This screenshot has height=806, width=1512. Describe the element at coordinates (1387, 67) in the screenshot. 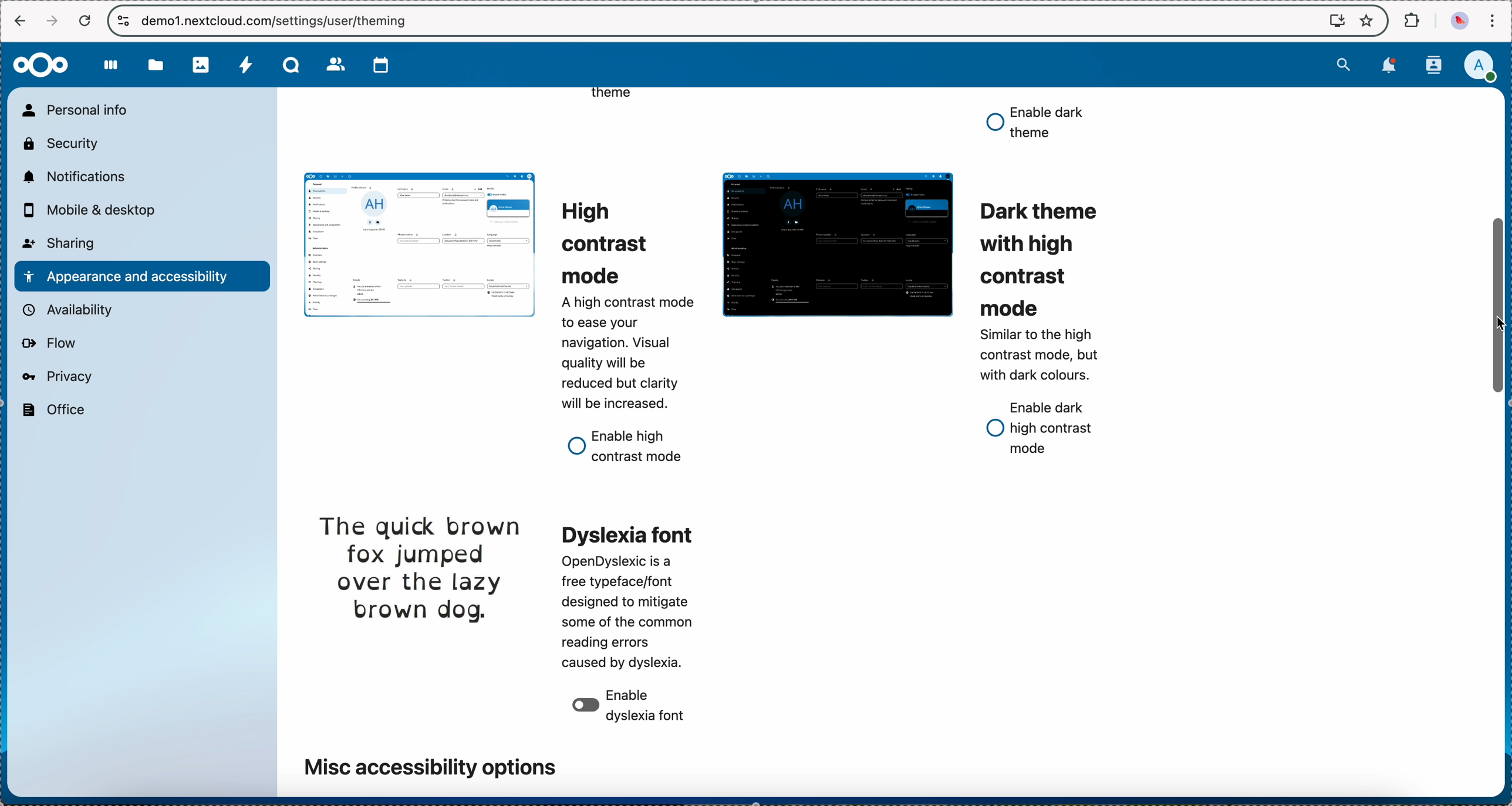

I see `notifications` at that location.